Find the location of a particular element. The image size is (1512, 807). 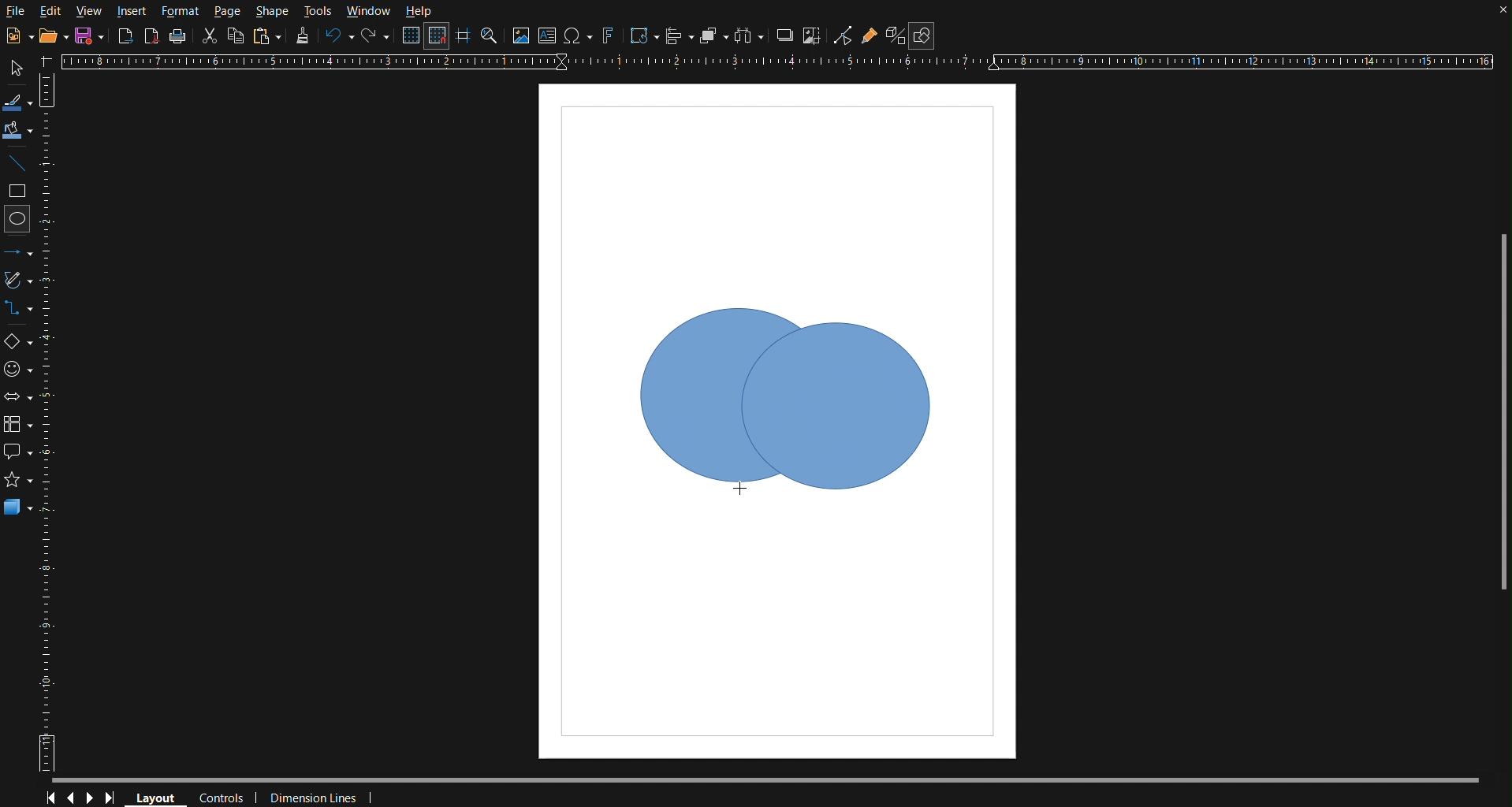

Redo is located at coordinates (372, 36).